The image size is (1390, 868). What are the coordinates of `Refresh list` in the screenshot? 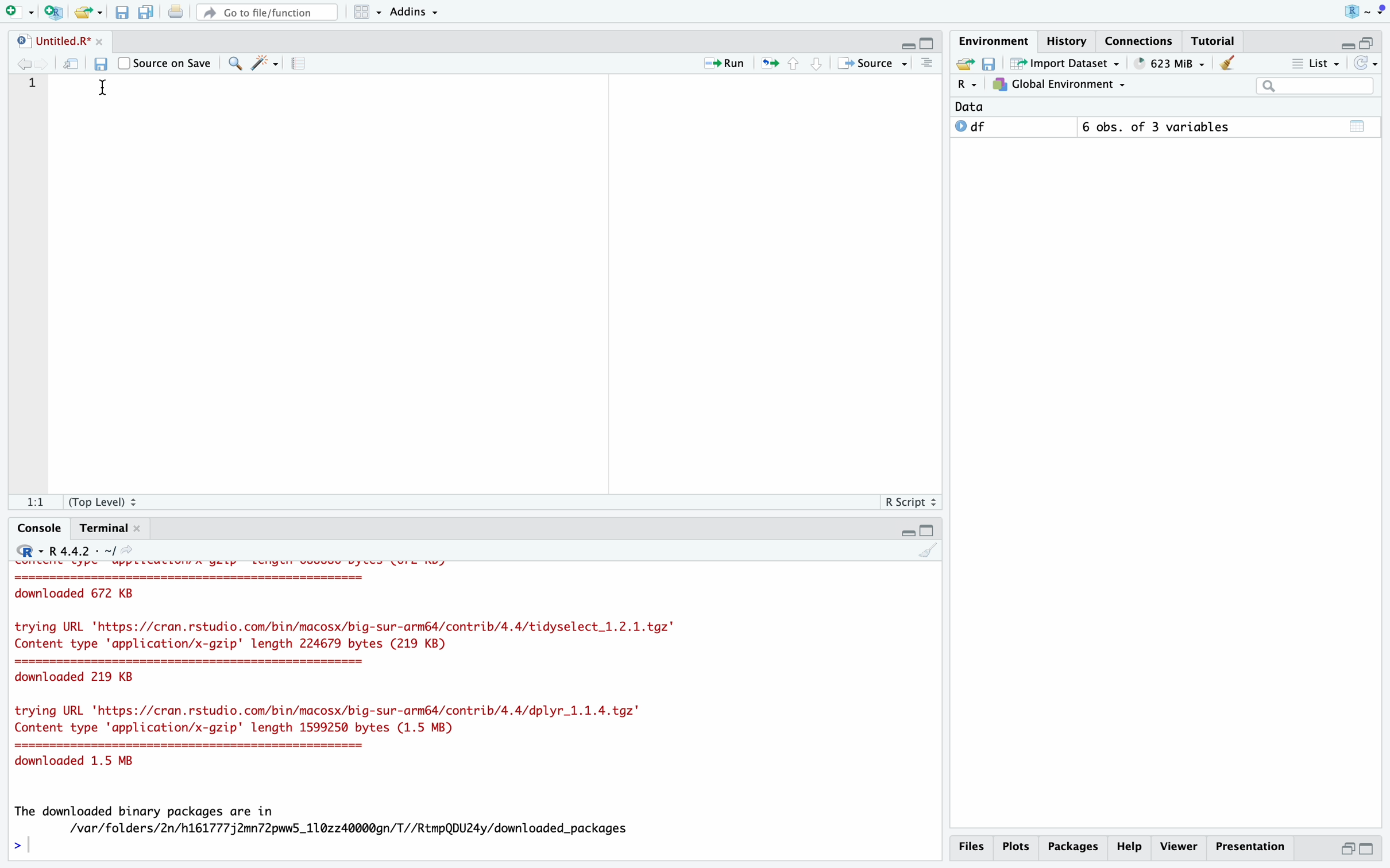 It's located at (1365, 63).